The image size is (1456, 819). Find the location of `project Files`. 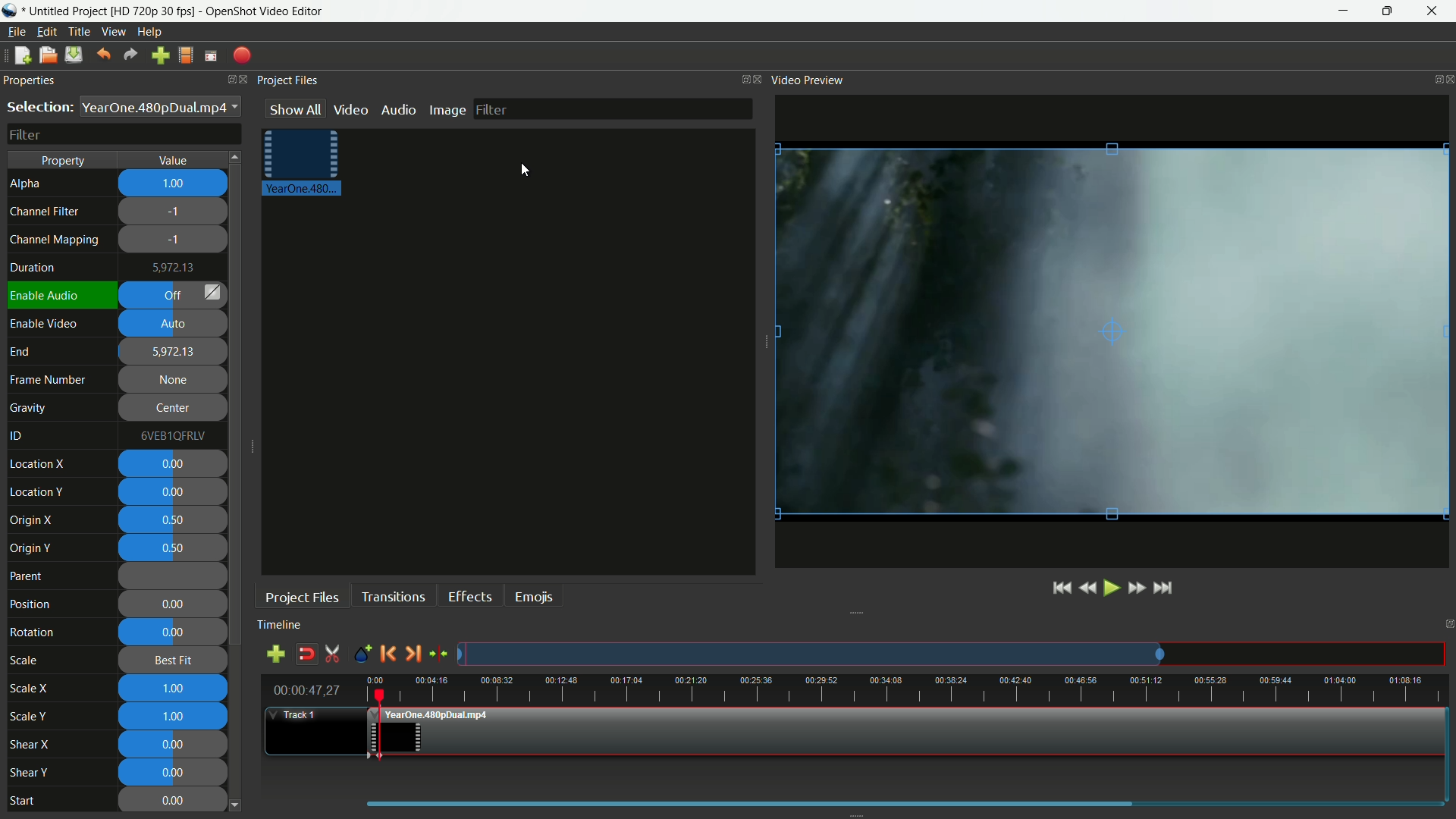

project Files is located at coordinates (285, 82).